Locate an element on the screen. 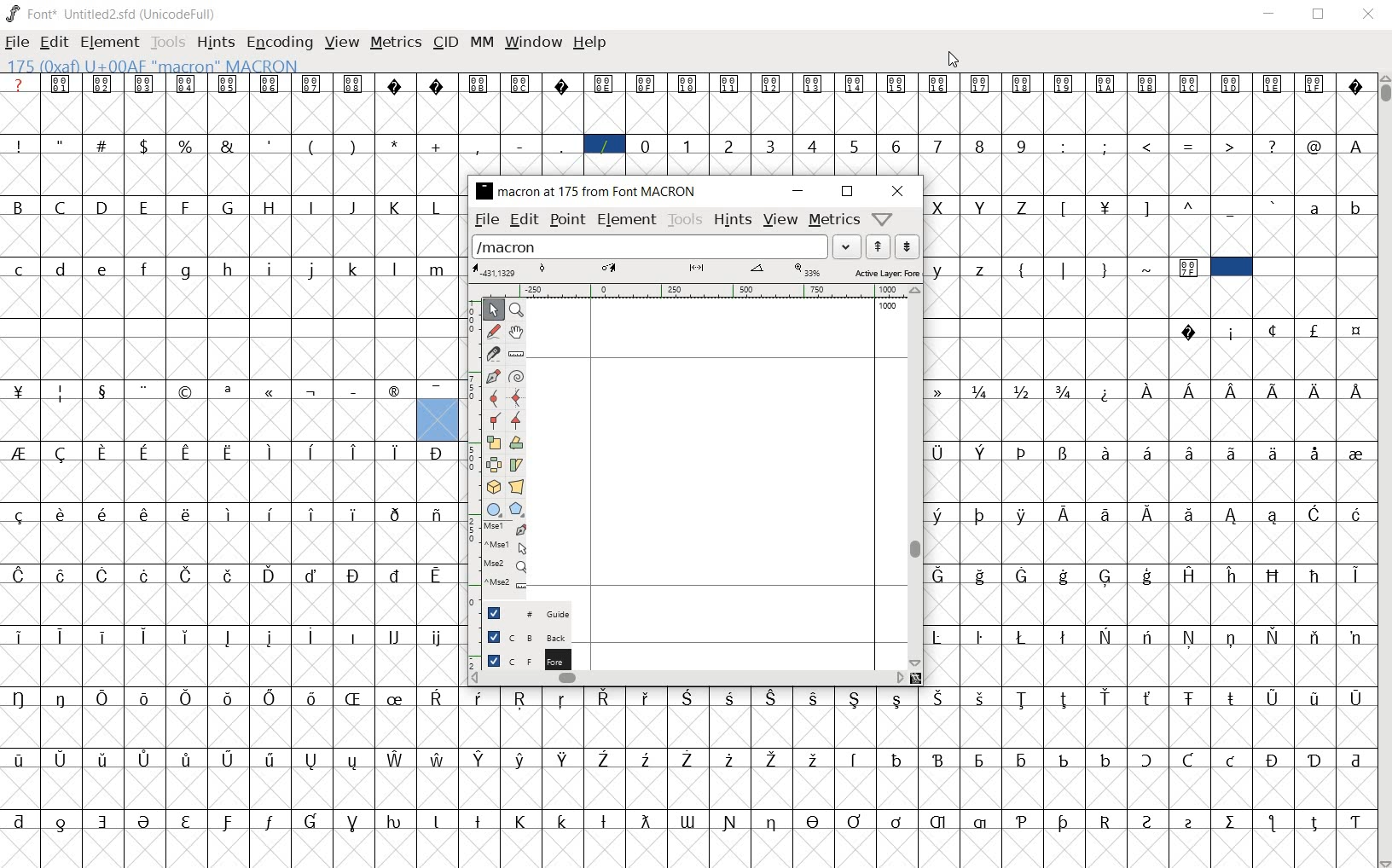  Symbol is located at coordinates (315, 699).